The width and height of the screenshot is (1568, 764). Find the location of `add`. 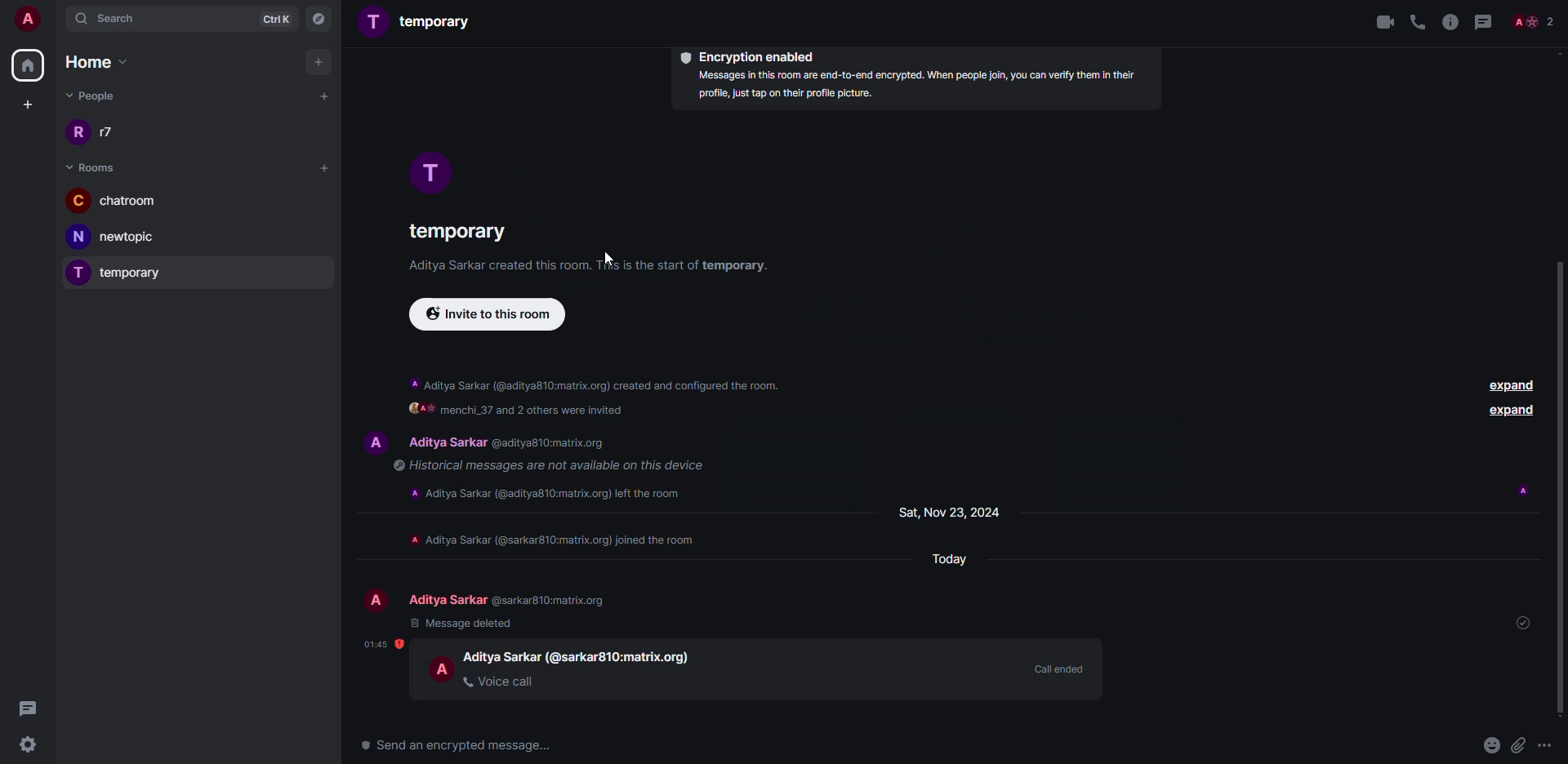

add is located at coordinates (321, 61).